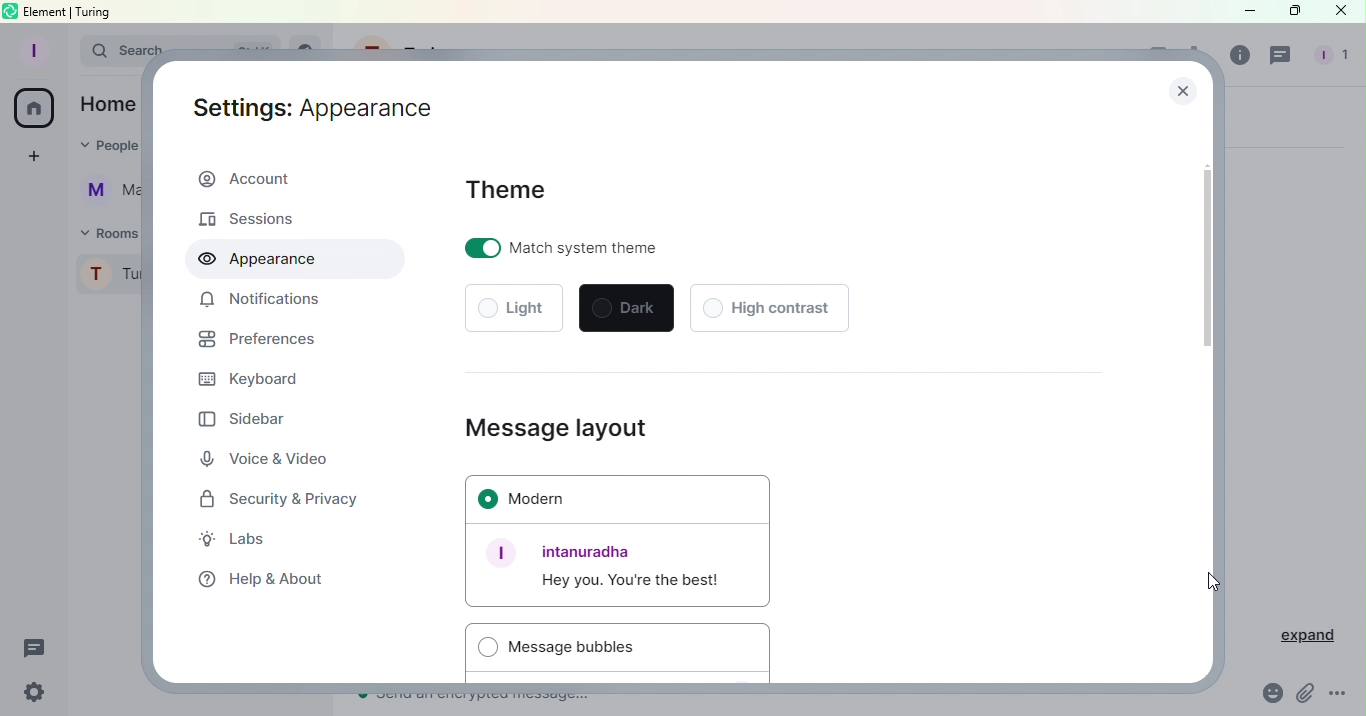 Image resolution: width=1366 pixels, height=716 pixels. I want to click on Expand, so click(1308, 637).